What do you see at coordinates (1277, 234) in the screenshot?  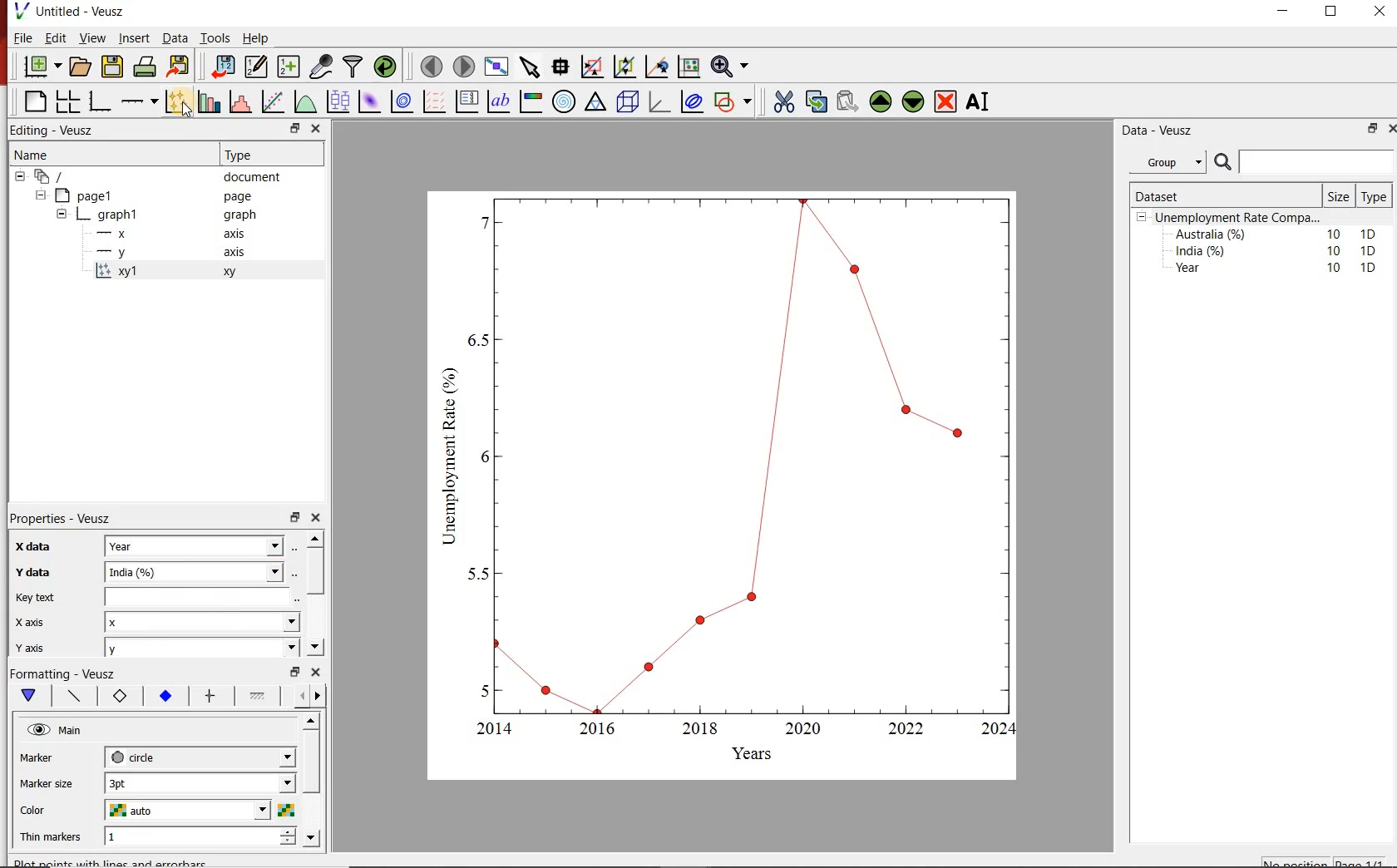 I see `Australia (%) 10 1D` at bounding box center [1277, 234].